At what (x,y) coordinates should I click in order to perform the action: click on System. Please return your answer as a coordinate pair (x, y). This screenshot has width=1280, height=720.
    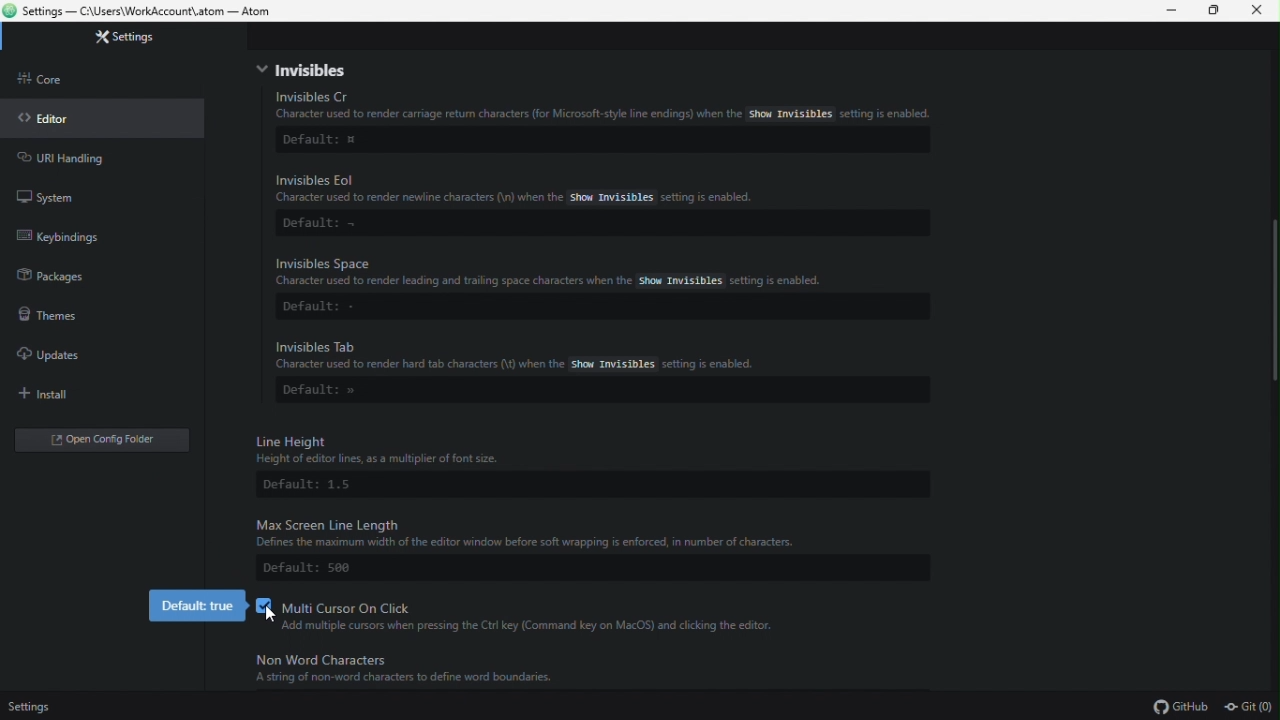
    Looking at the image, I should click on (54, 193).